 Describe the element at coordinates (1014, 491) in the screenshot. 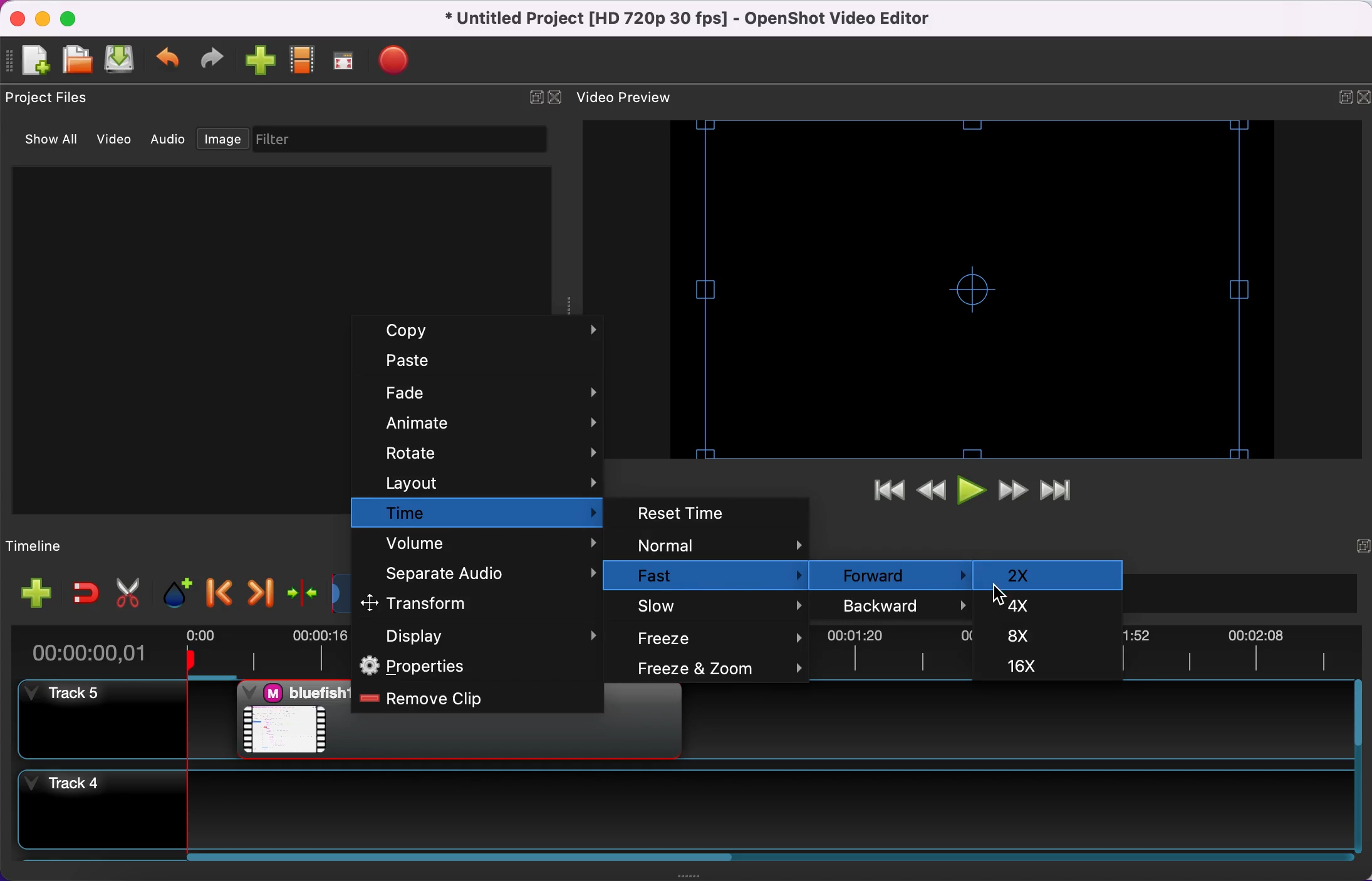

I see `fast forward` at that location.